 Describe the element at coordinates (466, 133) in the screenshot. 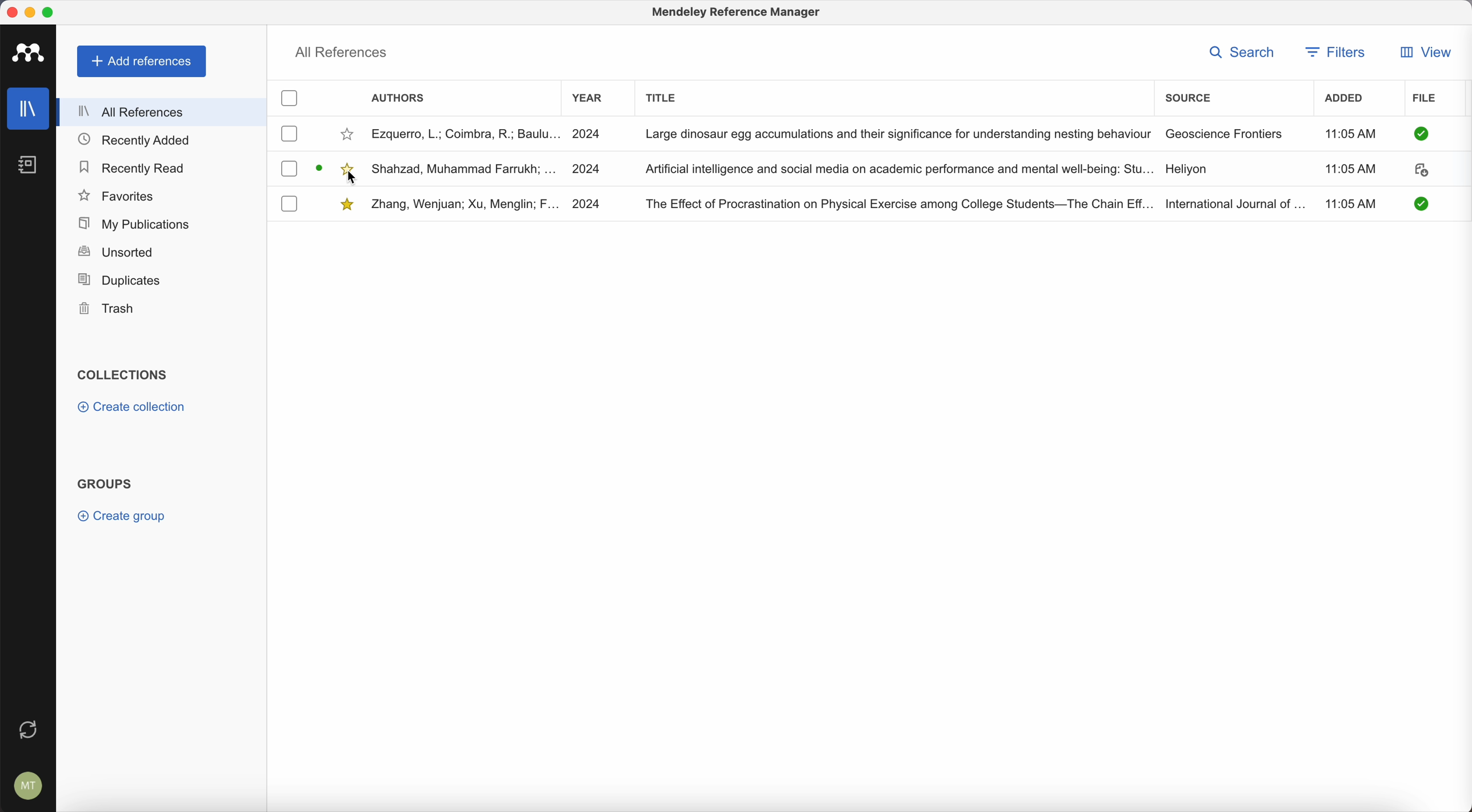

I see `Ezquerro, L; Coimbra, R; Baulu` at that location.